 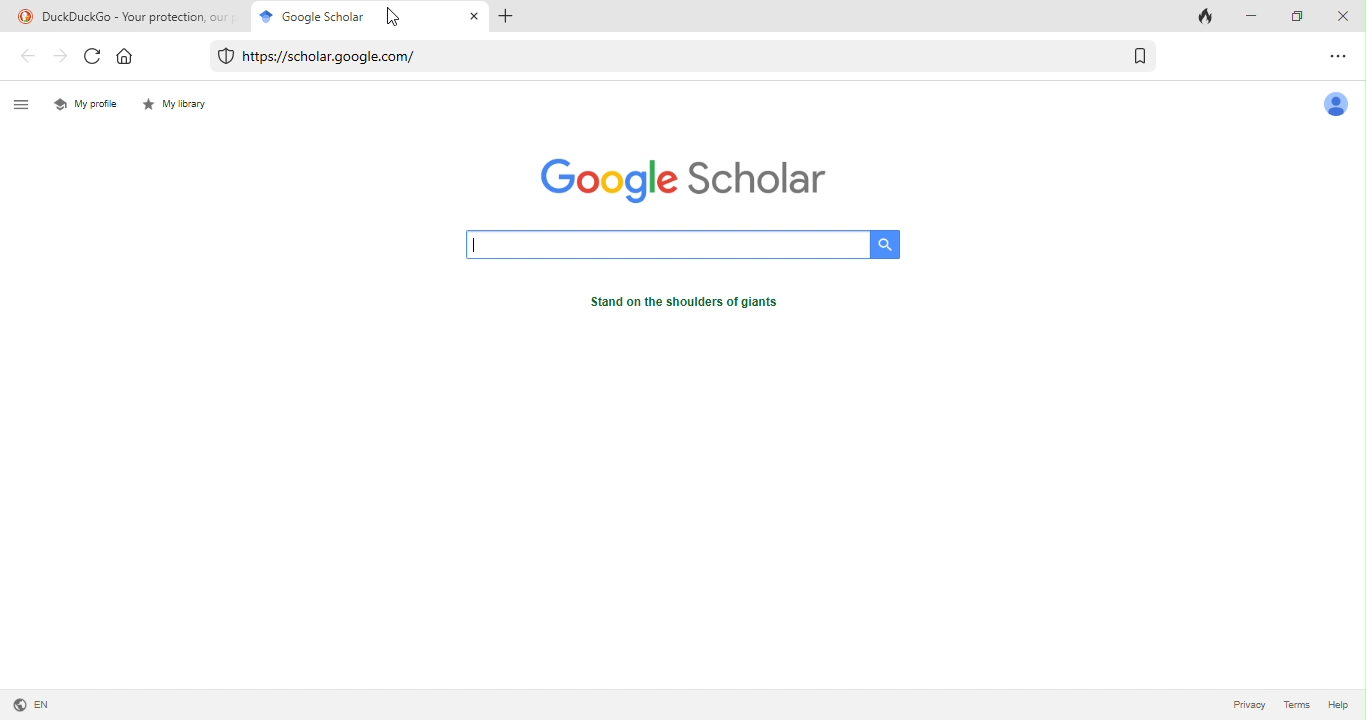 What do you see at coordinates (391, 17) in the screenshot?
I see `cursor movement` at bounding box center [391, 17].